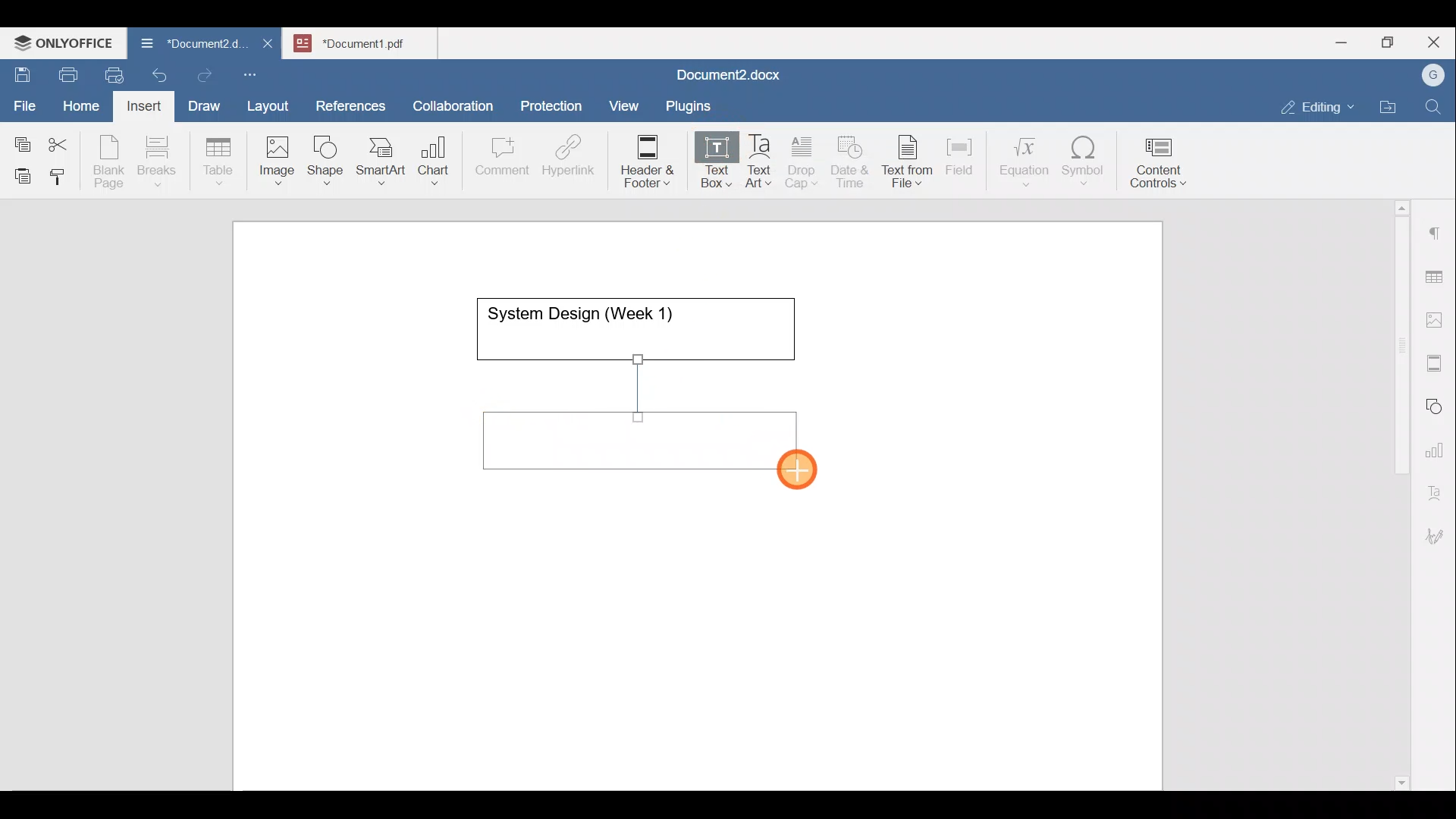 The width and height of the screenshot is (1456, 819). What do you see at coordinates (1436, 487) in the screenshot?
I see `Text Art settings` at bounding box center [1436, 487].